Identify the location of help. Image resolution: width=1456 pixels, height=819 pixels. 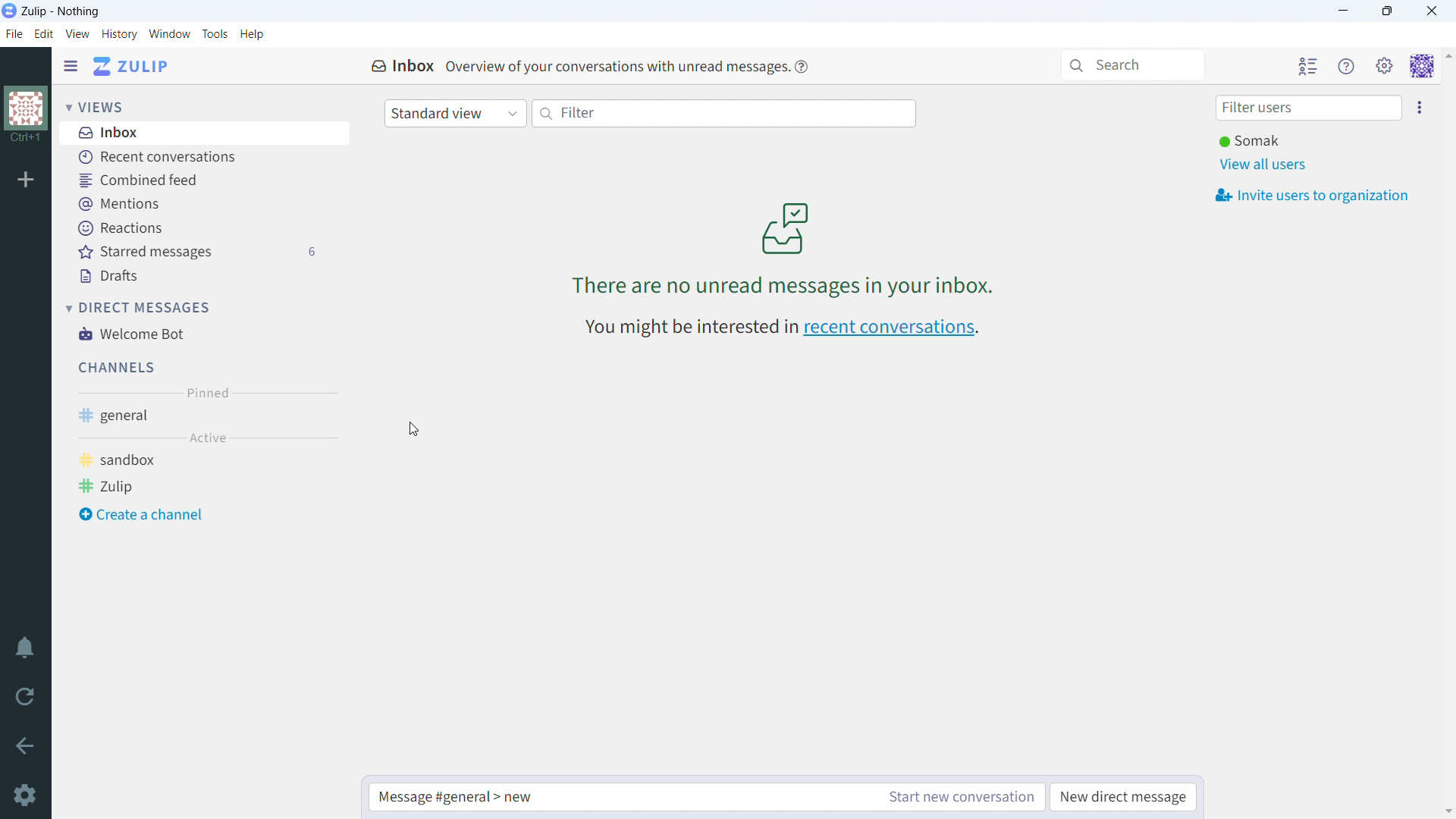
(252, 35).